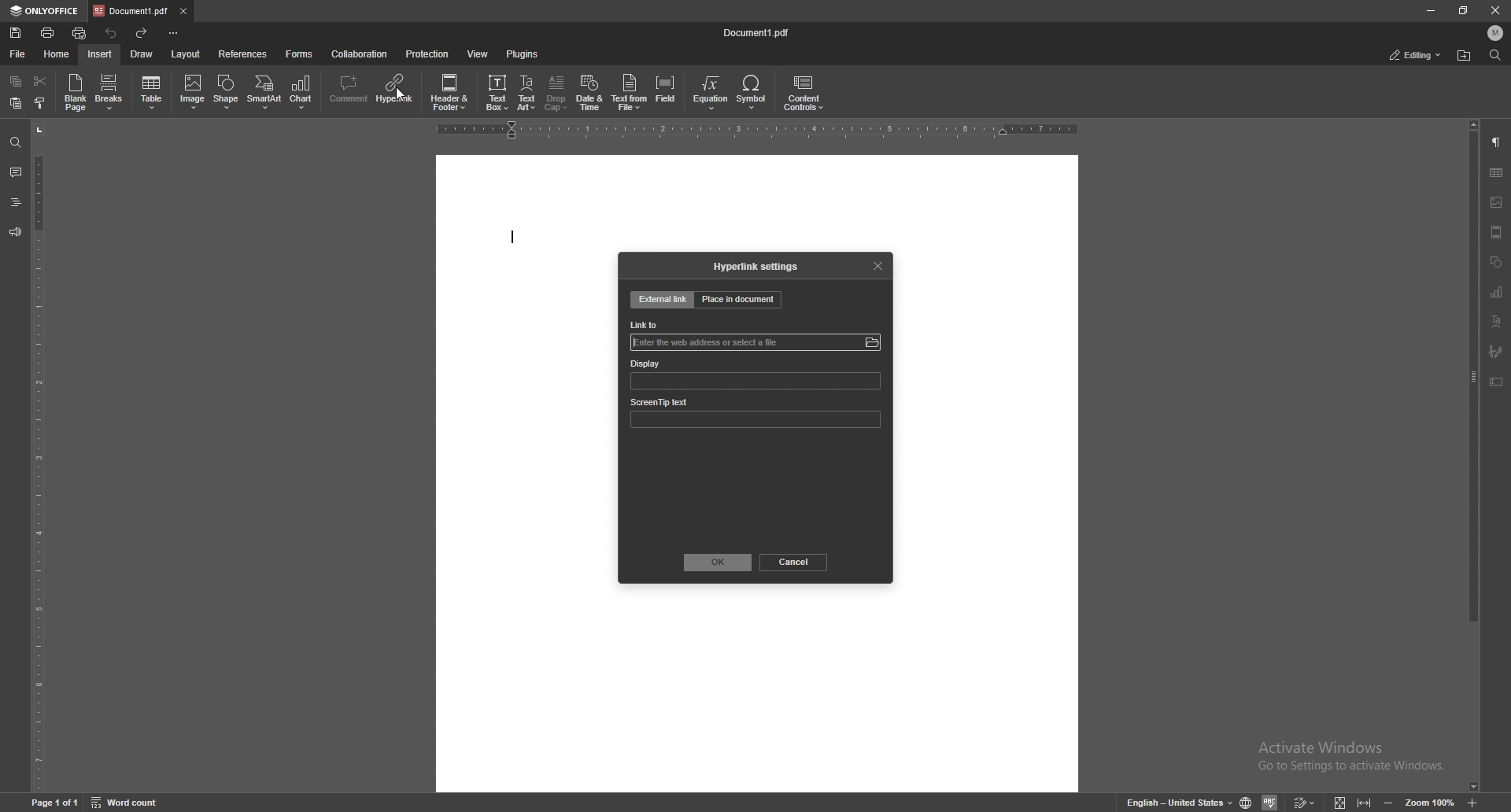 This screenshot has height=812, width=1511. What do you see at coordinates (109, 91) in the screenshot?
I see `breaks` at bounding box center [109, 91].